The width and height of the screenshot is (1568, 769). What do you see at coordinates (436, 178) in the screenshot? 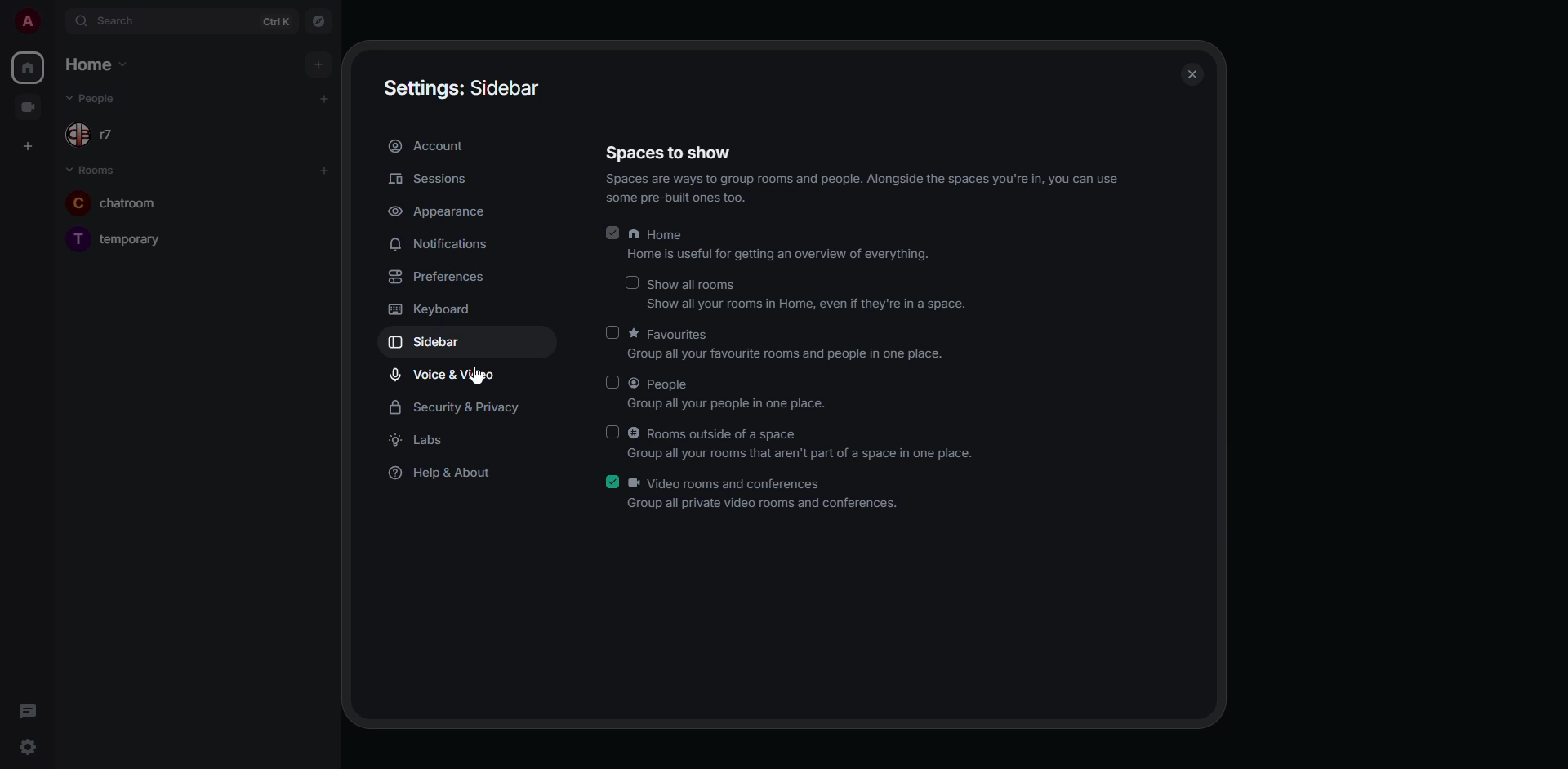
I see `sessions` at bounding box center [436, 178].